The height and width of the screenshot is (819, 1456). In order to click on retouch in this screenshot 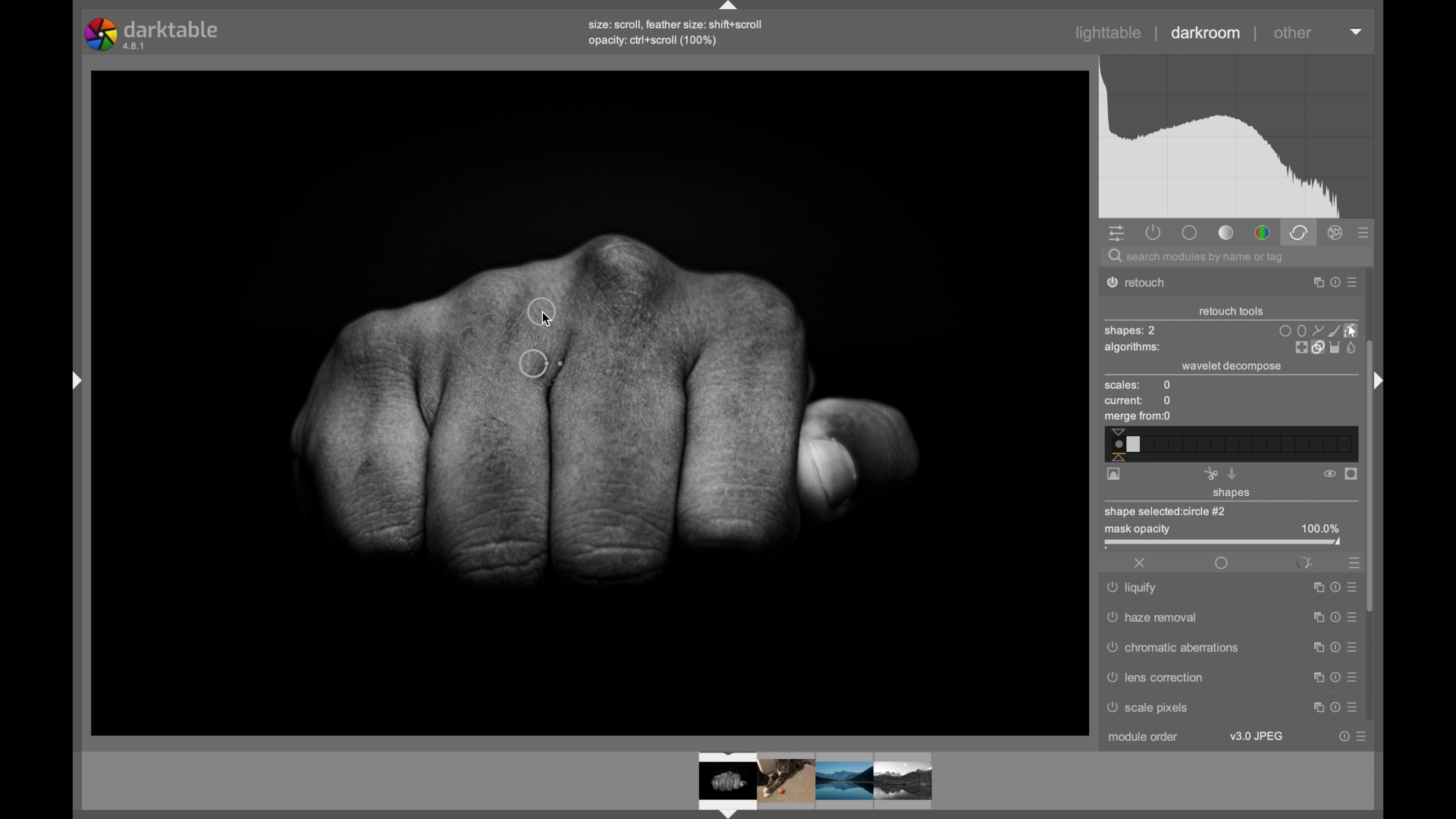, I will do `click(1145, 283)`.